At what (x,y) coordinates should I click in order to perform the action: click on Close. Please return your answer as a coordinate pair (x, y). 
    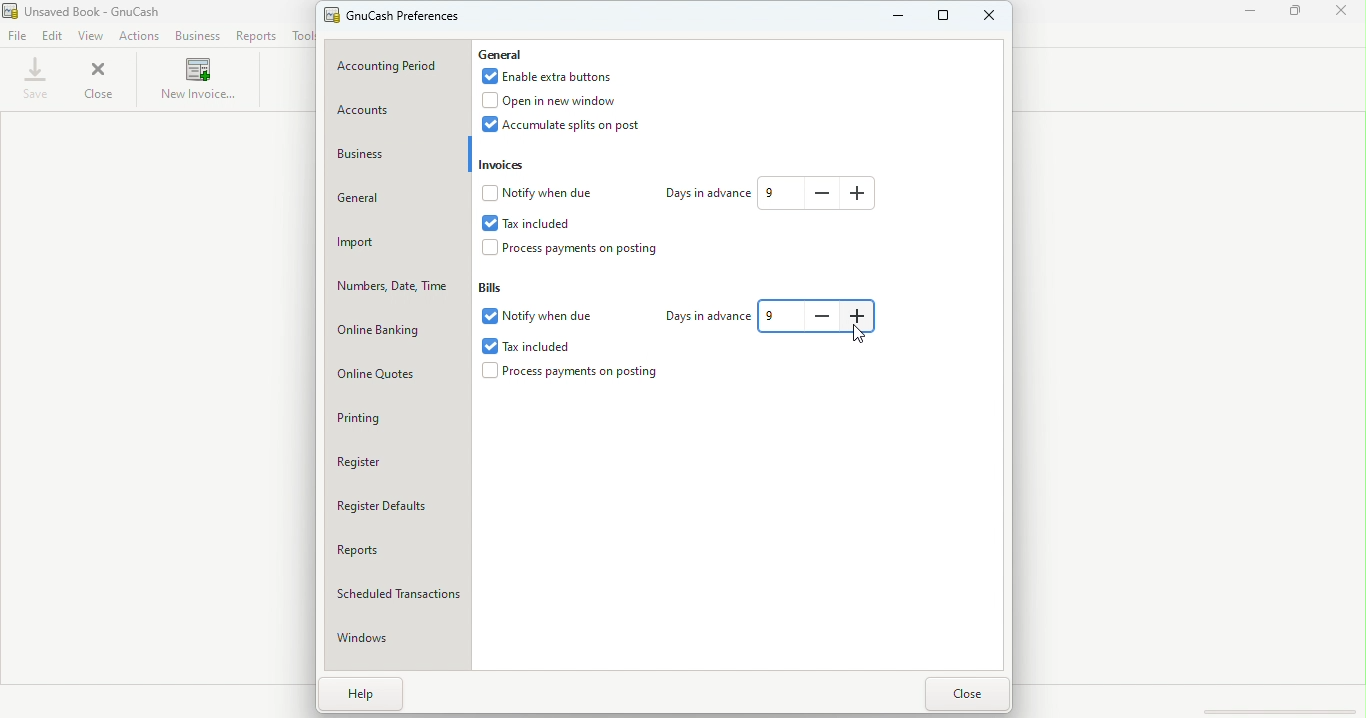
    Looking at the image, I should click on (101, 81).